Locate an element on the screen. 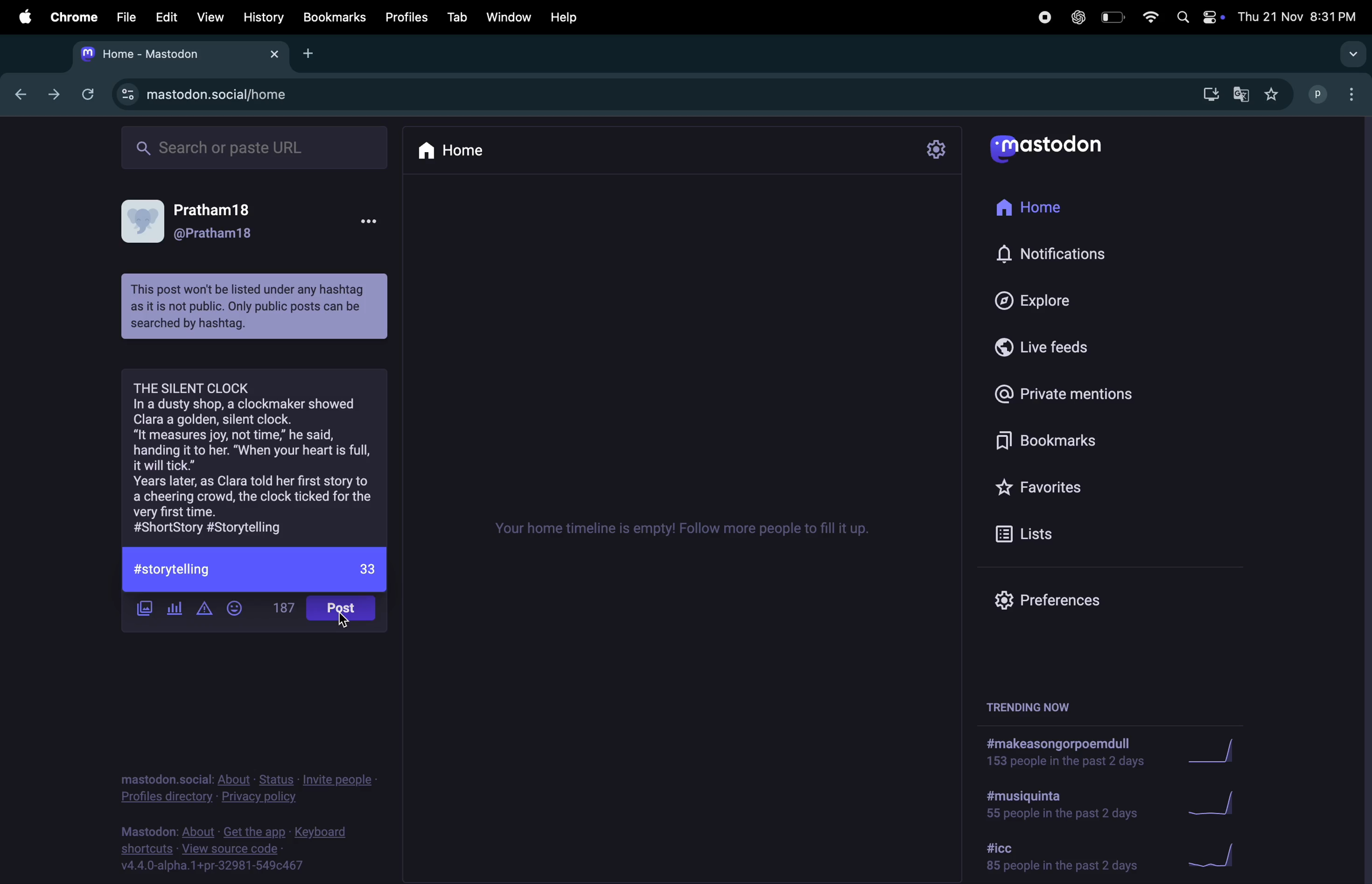  post is located at coordinates (344, 610).